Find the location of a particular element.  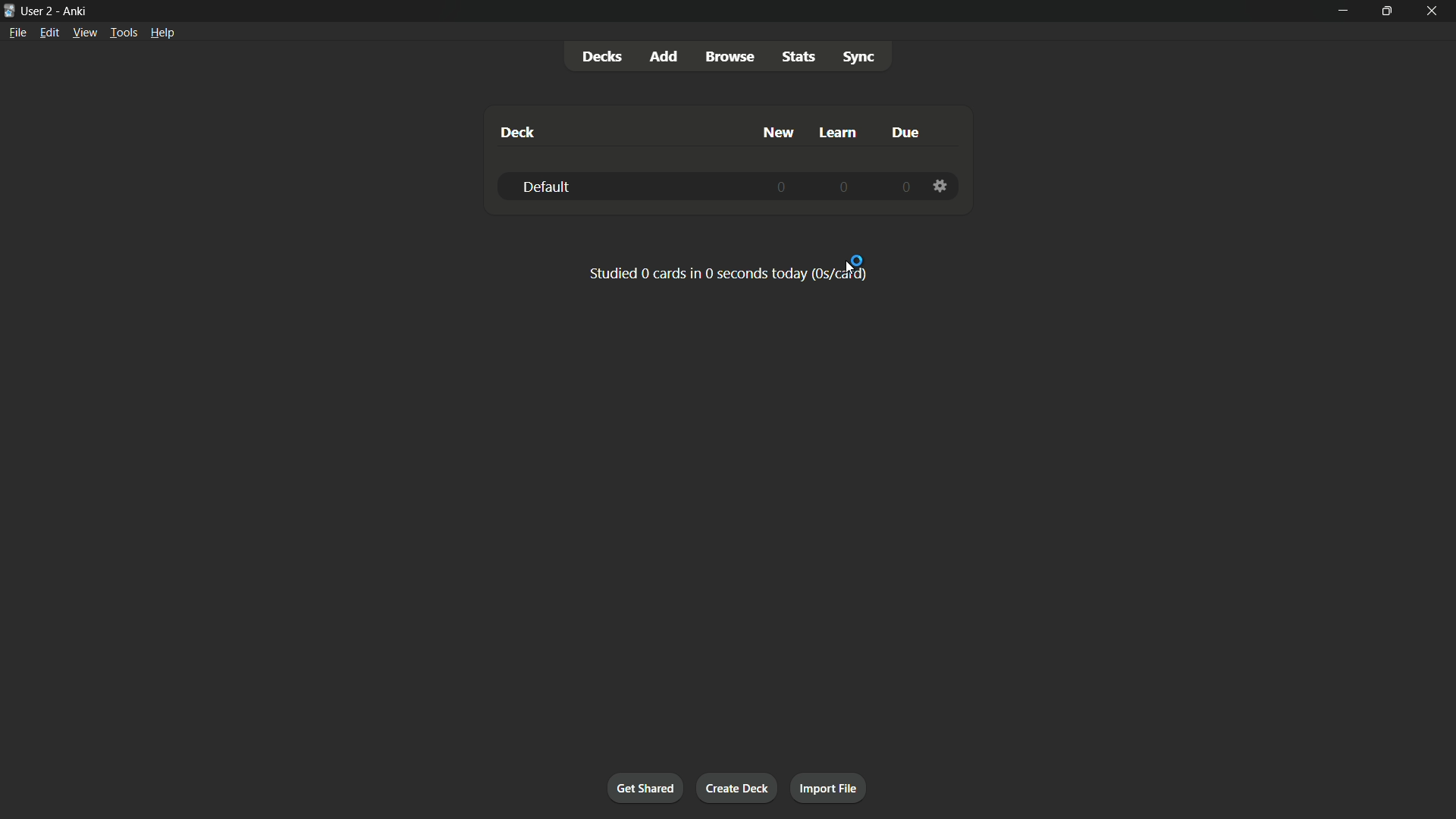

Decks is located at coordinates (601, 56).